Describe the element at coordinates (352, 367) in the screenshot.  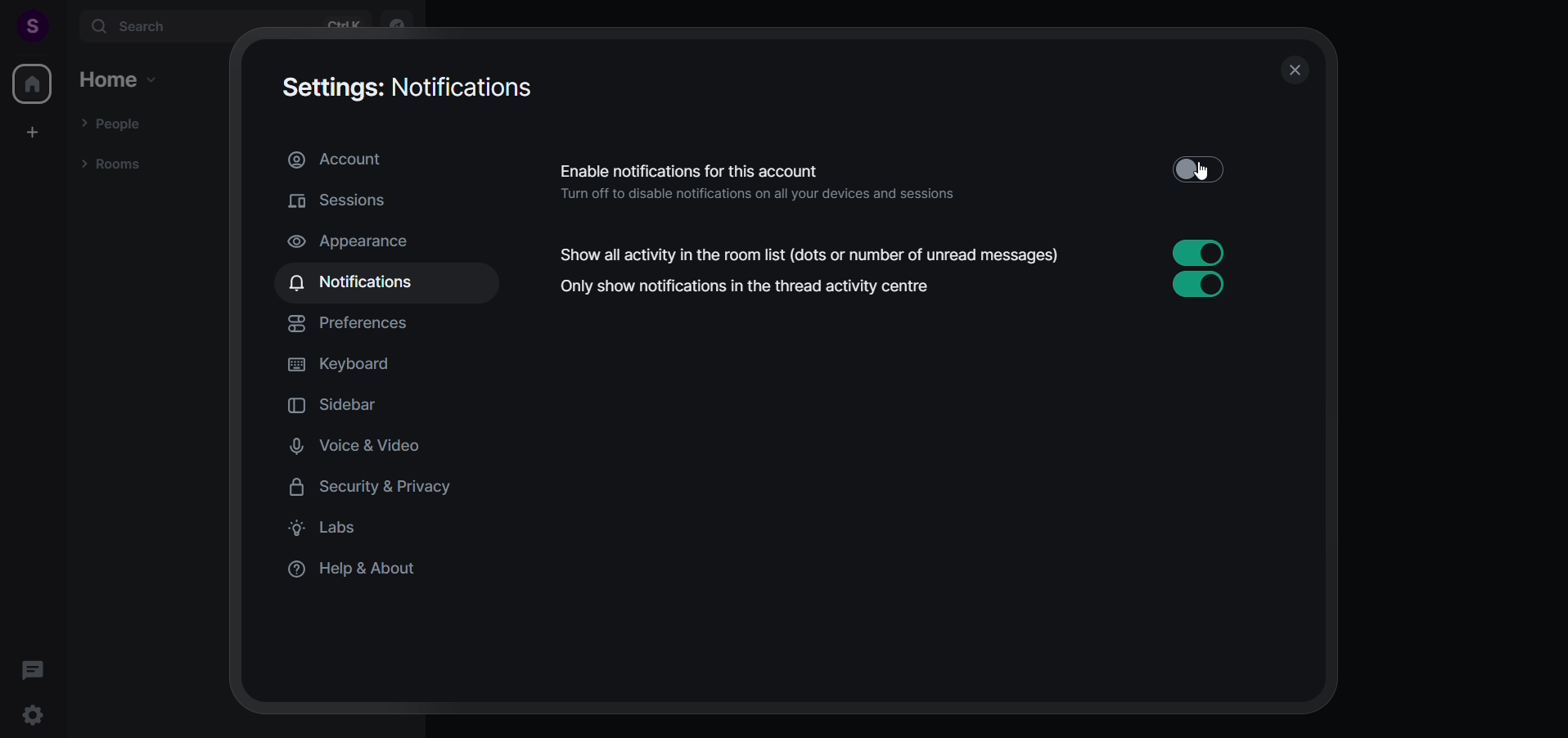
I see `keyboard` at that location.